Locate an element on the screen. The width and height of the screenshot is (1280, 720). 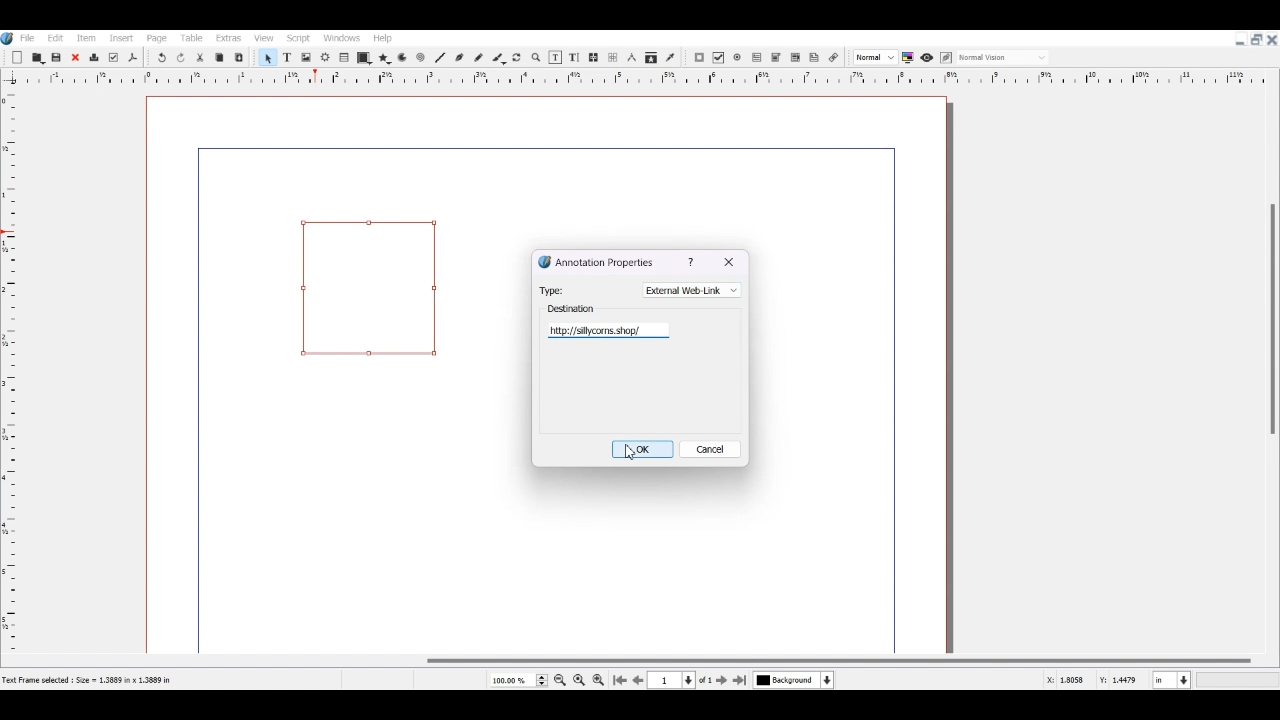
Maximize is located at coordinates (1256, 38).